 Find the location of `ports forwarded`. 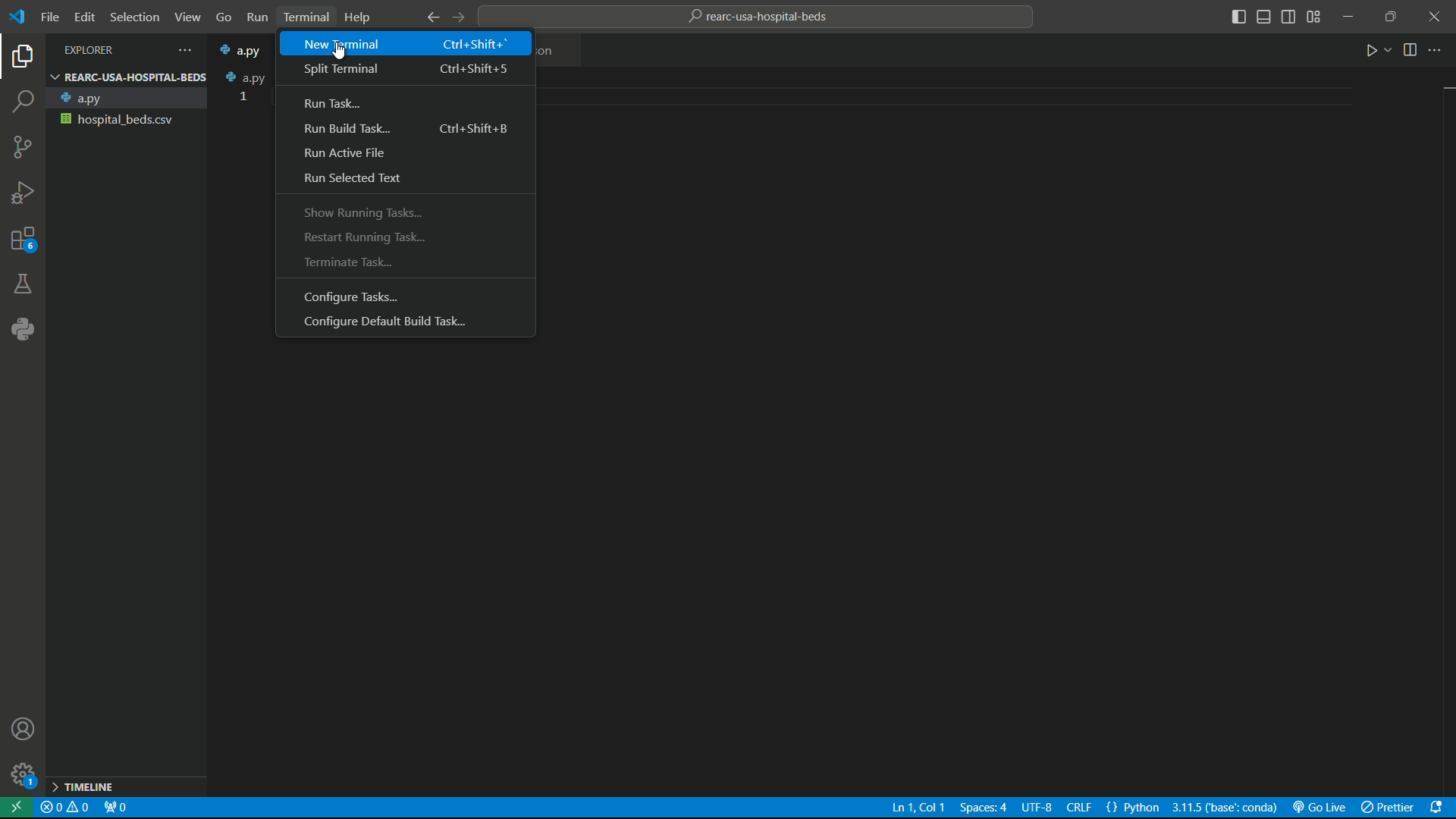

ports forwarded is located at coordinates (116, 808).